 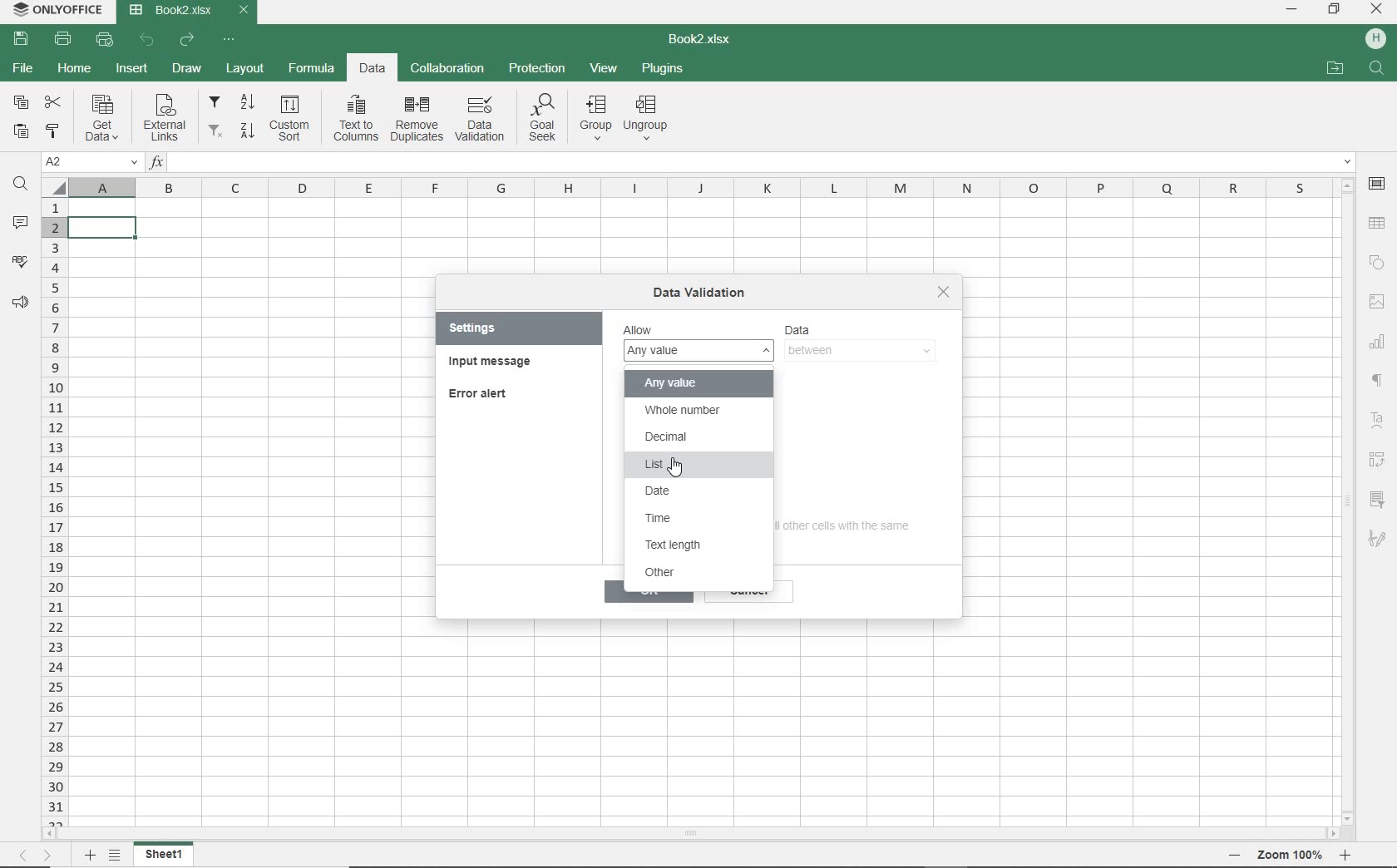 What do you see at coordinates (24, 131) in the screenshot?
I see `PASTE` at bounding box center [24, 131].